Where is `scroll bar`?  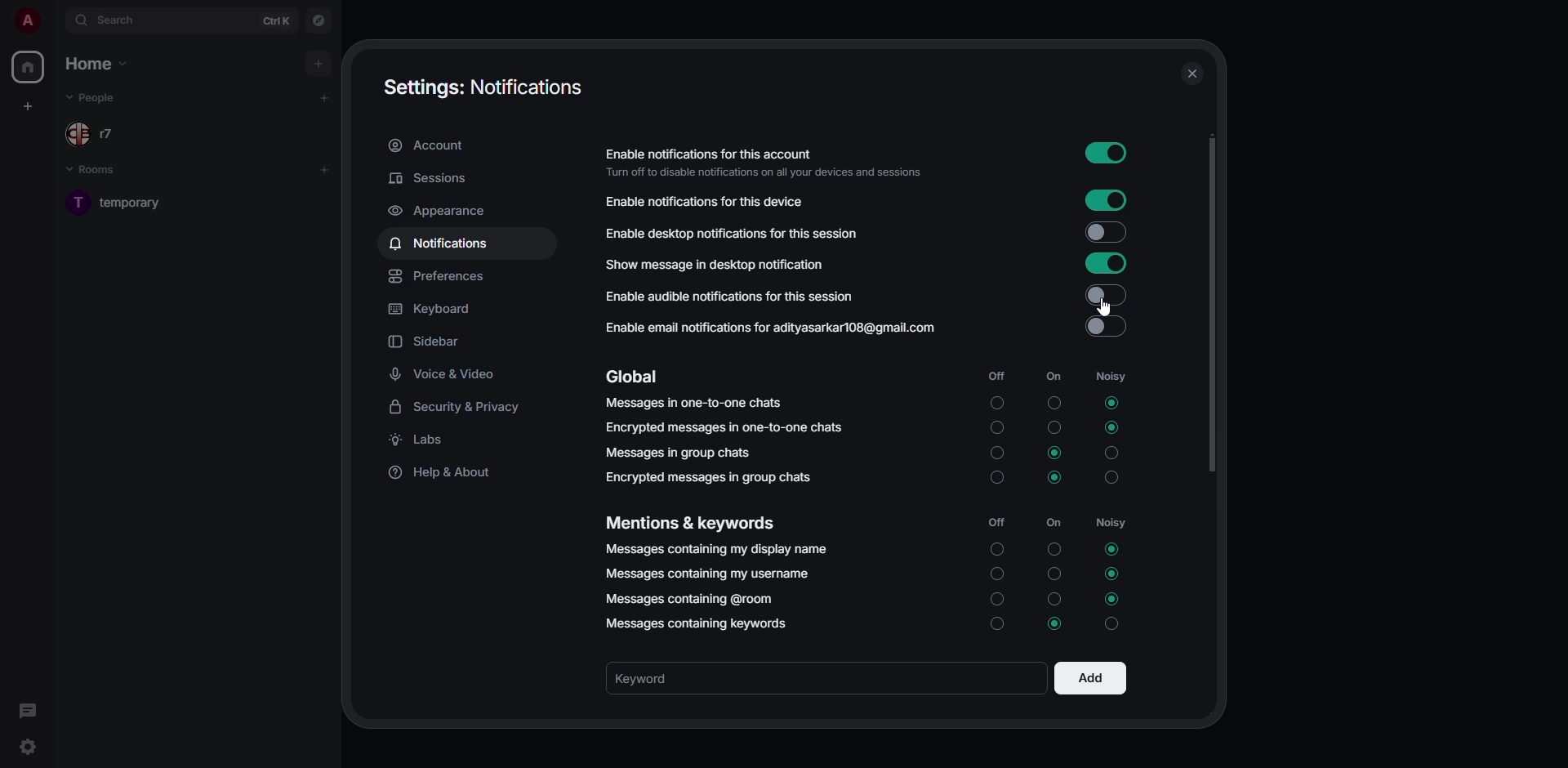
scroll bar is located at coordinates (1211, 306).